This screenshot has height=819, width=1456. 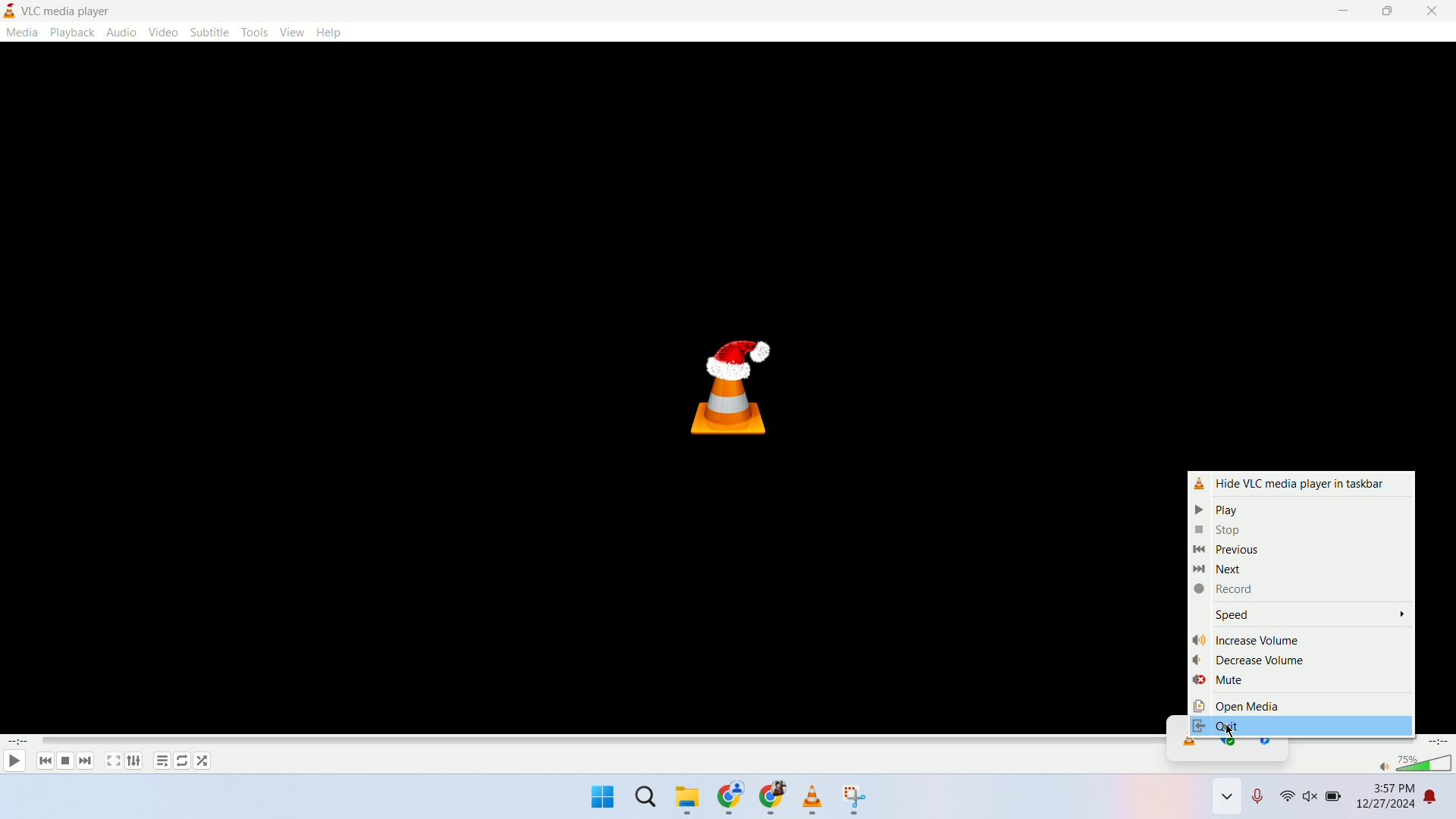 I want to click on chrome, so click(x=731, y=800).